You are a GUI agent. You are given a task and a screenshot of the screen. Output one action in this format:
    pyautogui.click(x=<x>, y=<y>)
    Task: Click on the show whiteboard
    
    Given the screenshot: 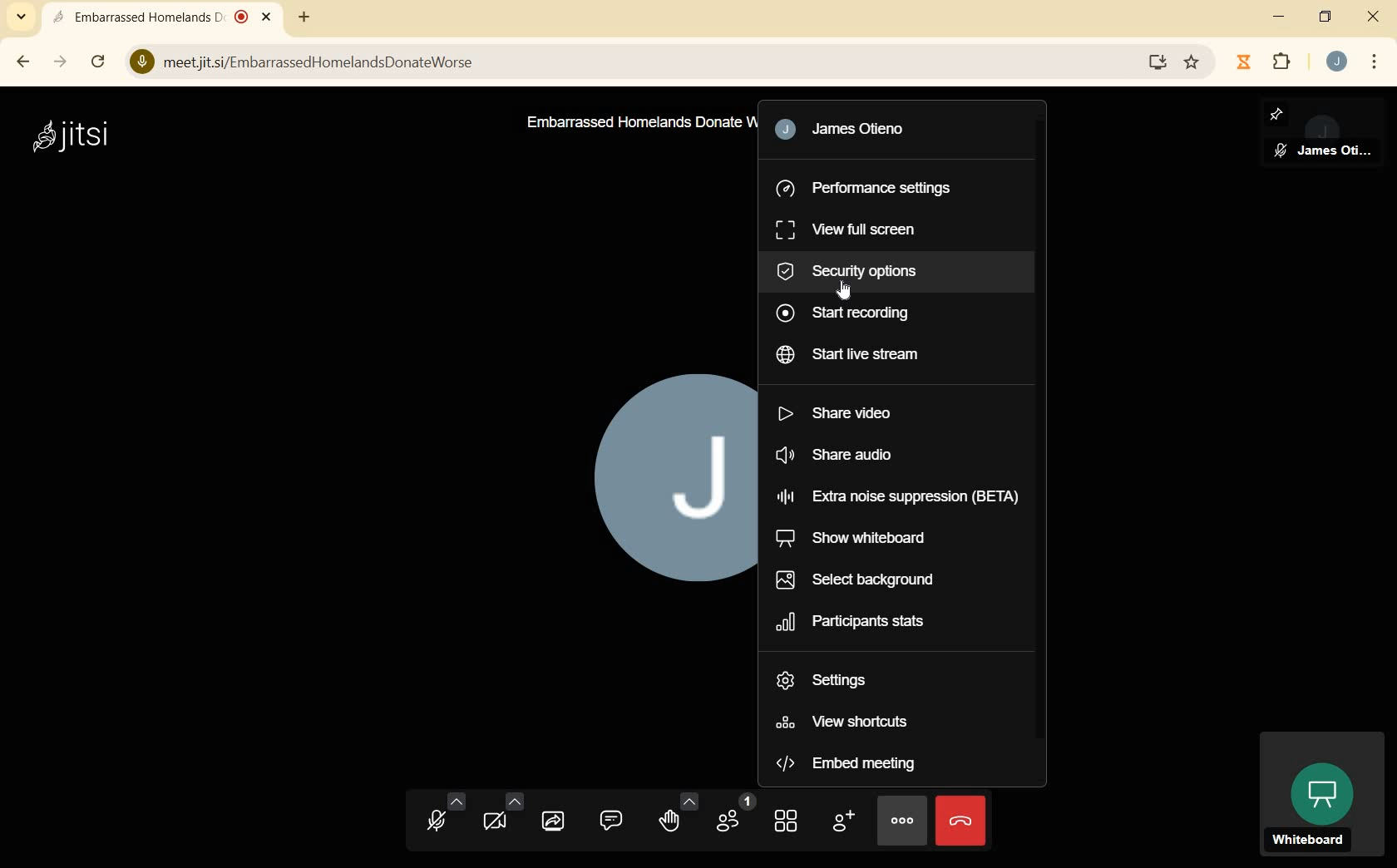 What is the action you would take?
    pyautogui.click(x=856, y=538)
    